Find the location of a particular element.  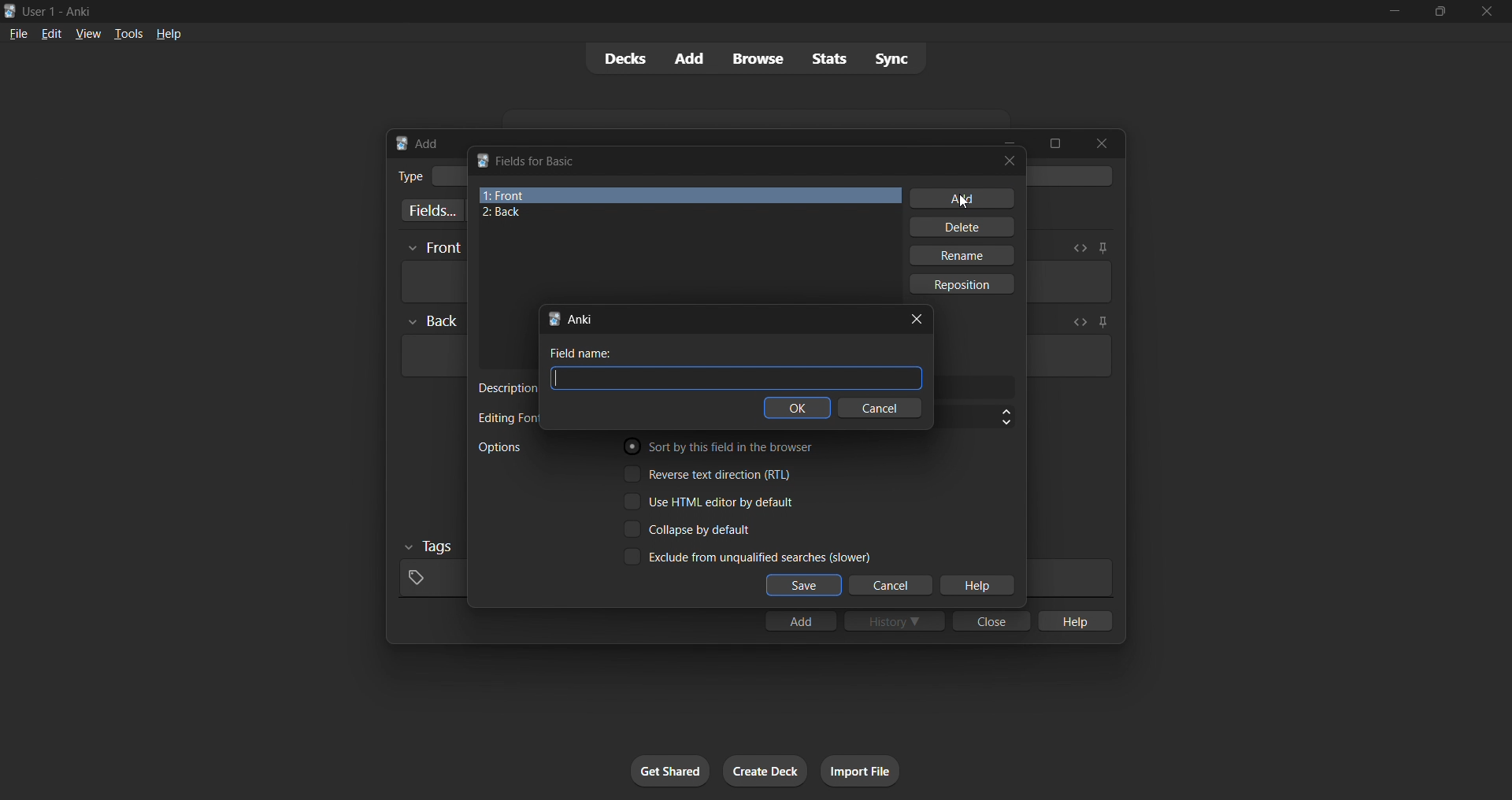

card tags input is located at coordinates (430, 579).